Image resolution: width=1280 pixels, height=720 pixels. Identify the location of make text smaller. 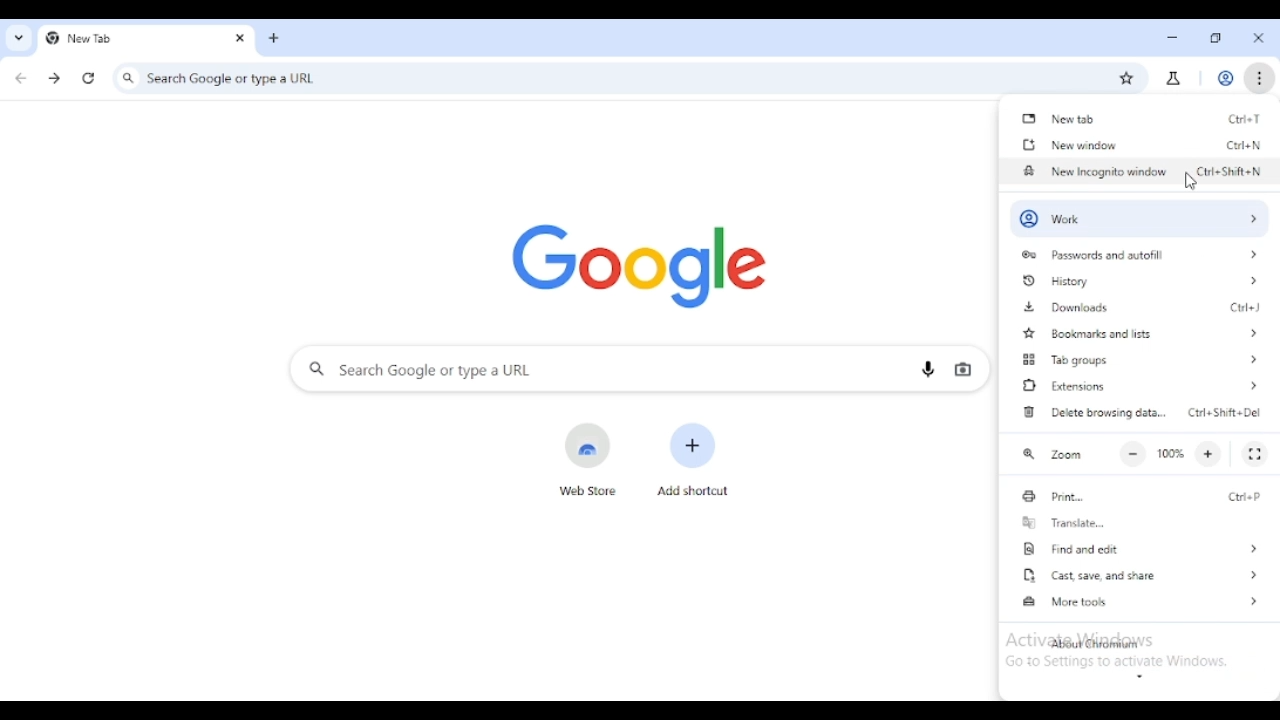
(1133, 454).